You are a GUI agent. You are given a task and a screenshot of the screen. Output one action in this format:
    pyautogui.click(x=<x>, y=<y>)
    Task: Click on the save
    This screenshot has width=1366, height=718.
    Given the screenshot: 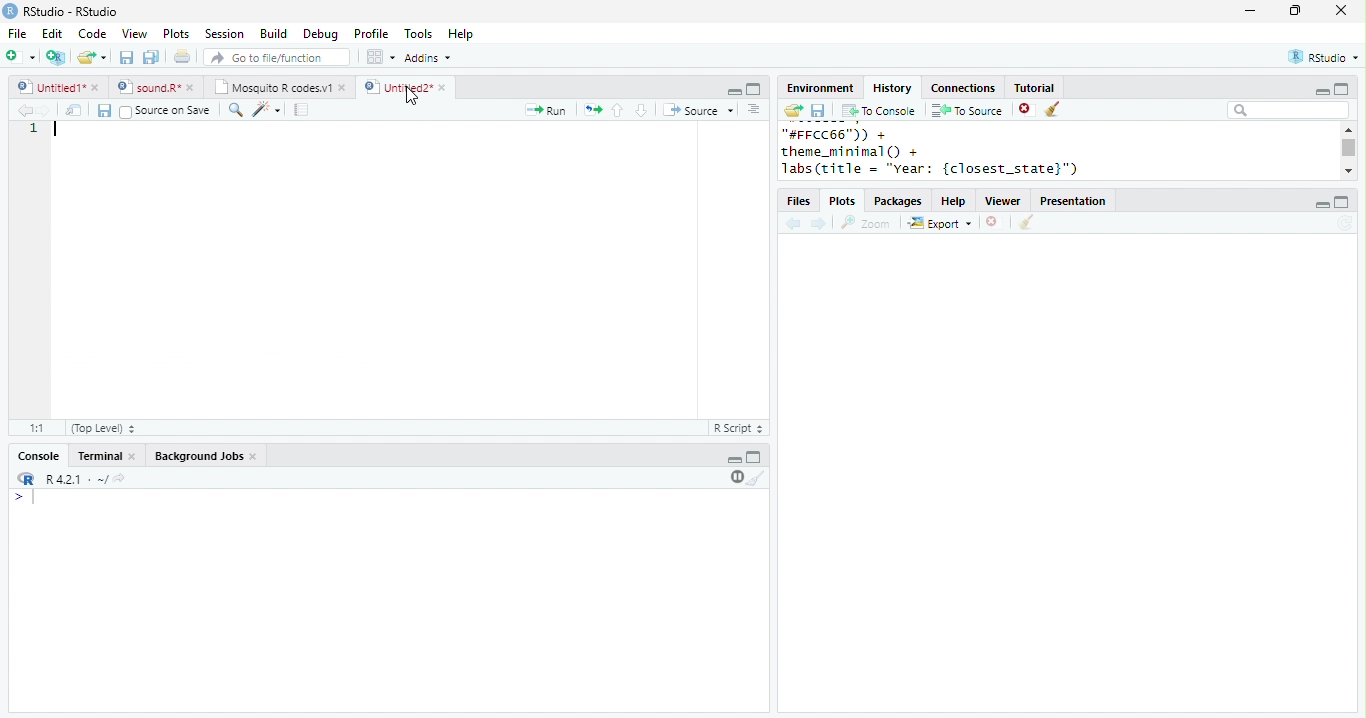 What is the action you would take?
    pyautogui.click(x=818, y=111)
    